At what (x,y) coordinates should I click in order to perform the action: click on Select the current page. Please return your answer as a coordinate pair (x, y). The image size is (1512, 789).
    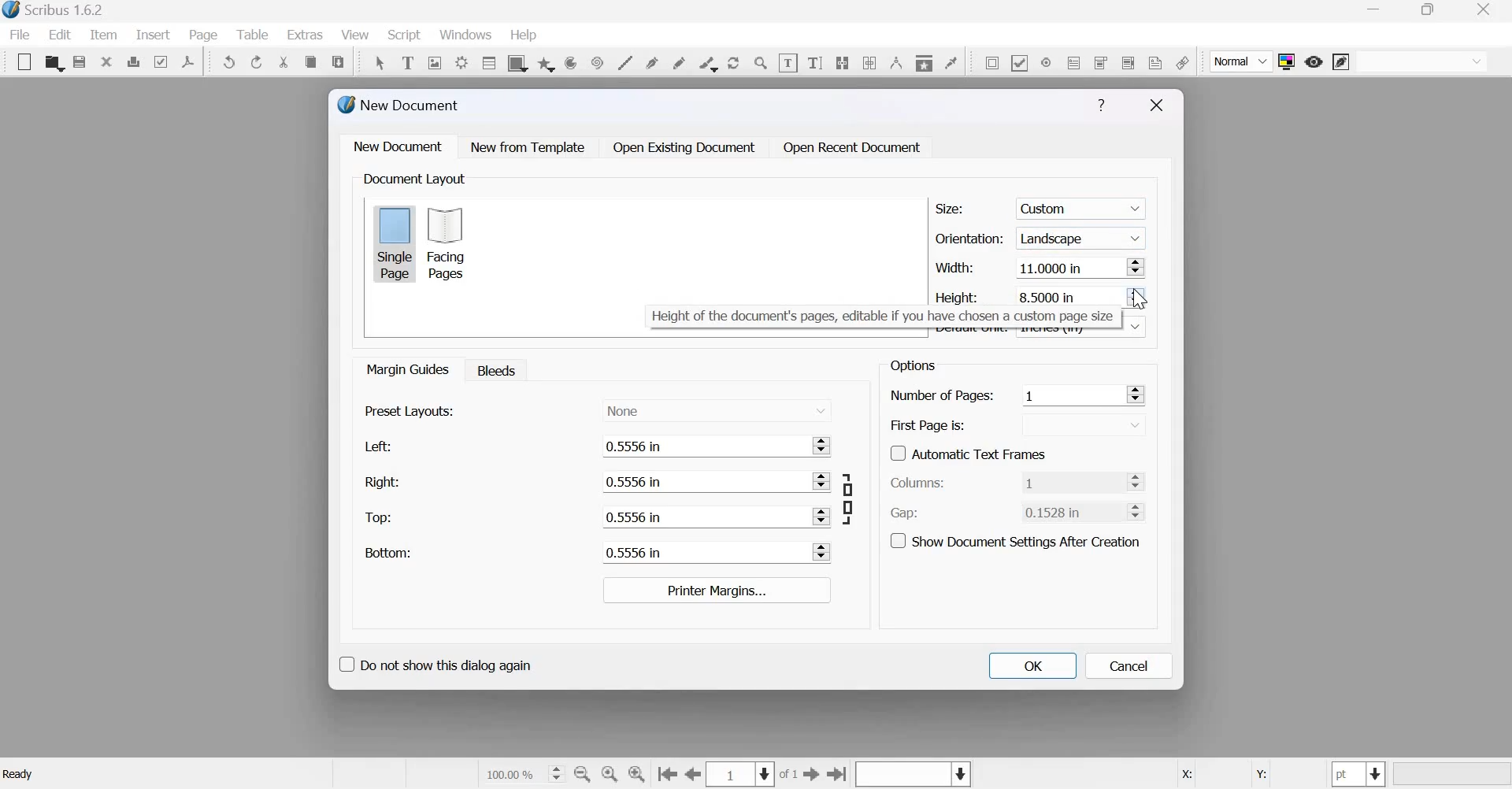
    Looking at the image, I should click on (742, 774).